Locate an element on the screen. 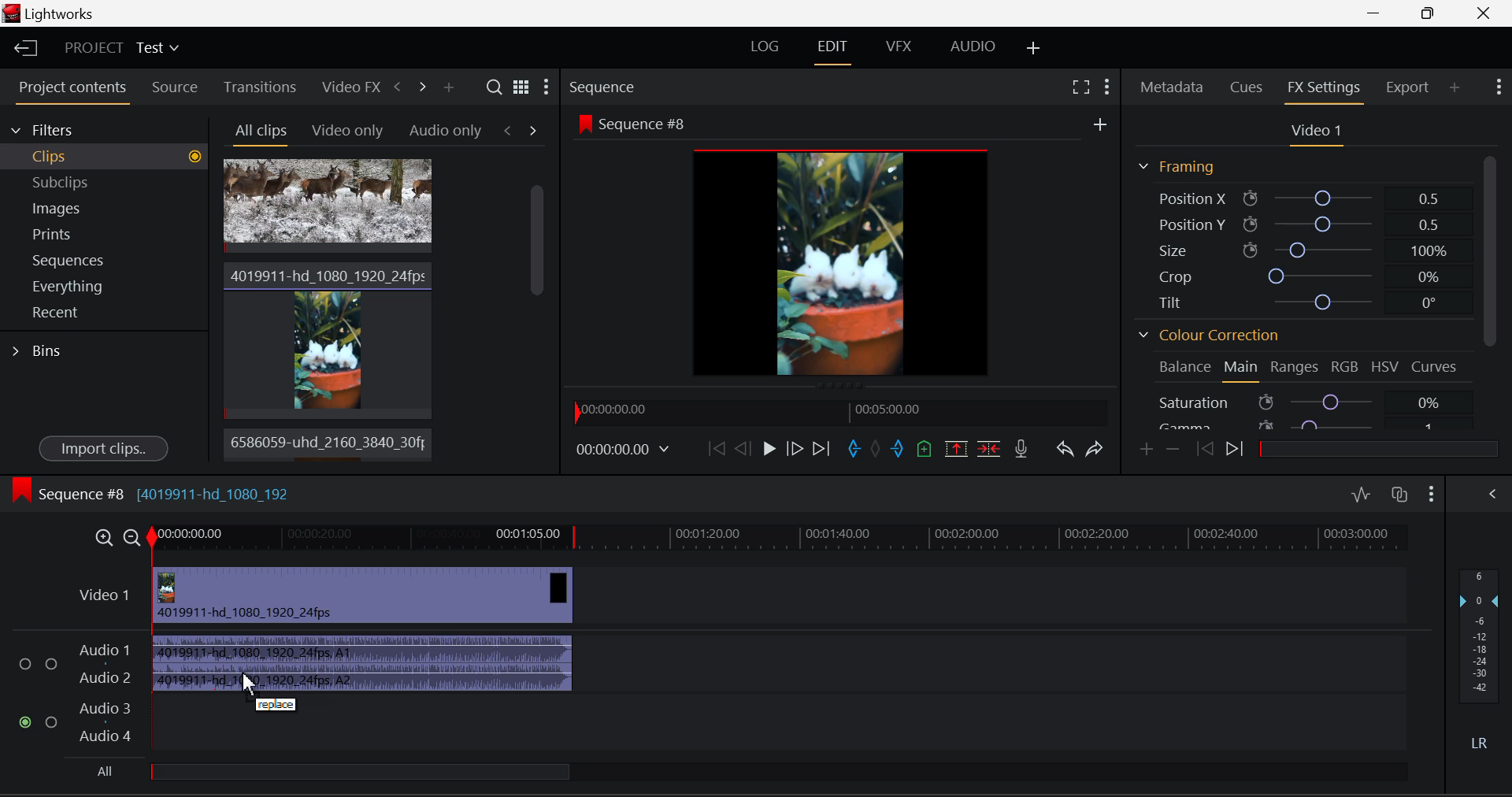 The image size is (1512, 797). Metadata is located at coordinates (1173, 86).